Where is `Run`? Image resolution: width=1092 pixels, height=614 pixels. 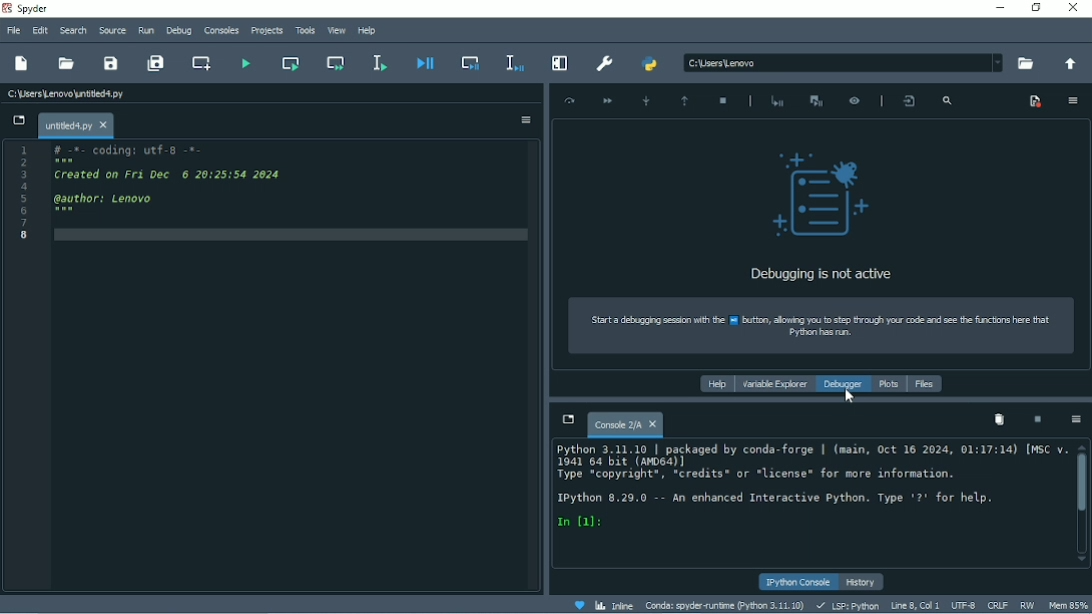 Run is located at coordinates (147, 29).